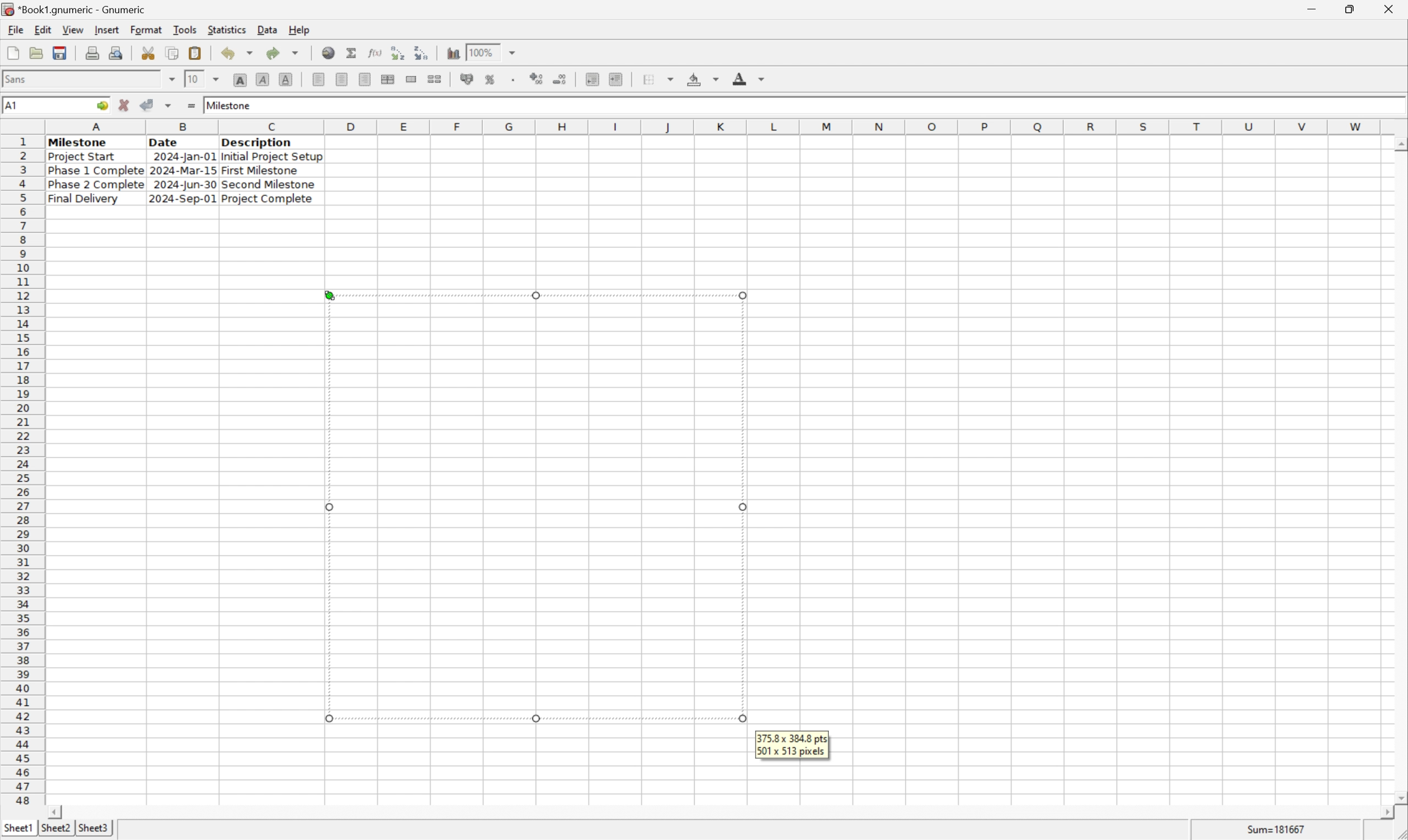 This screenshot has height=840, width=1408. What do you see at coordinates (749, 78) in the screenshot?
I see `font color` at bounding box center [749, 78].